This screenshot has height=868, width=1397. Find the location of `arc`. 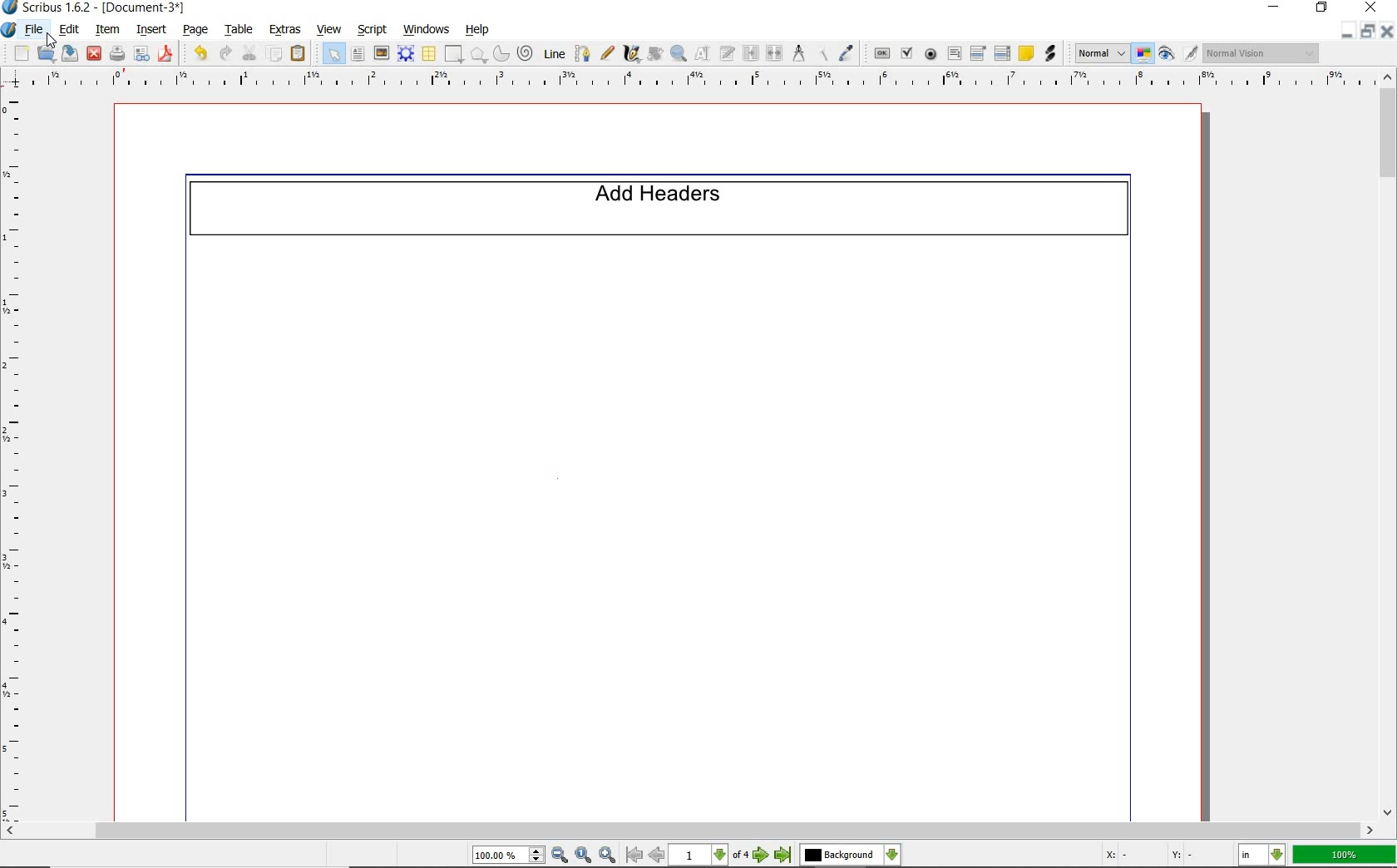

arc is located at coordinates (500, 55).